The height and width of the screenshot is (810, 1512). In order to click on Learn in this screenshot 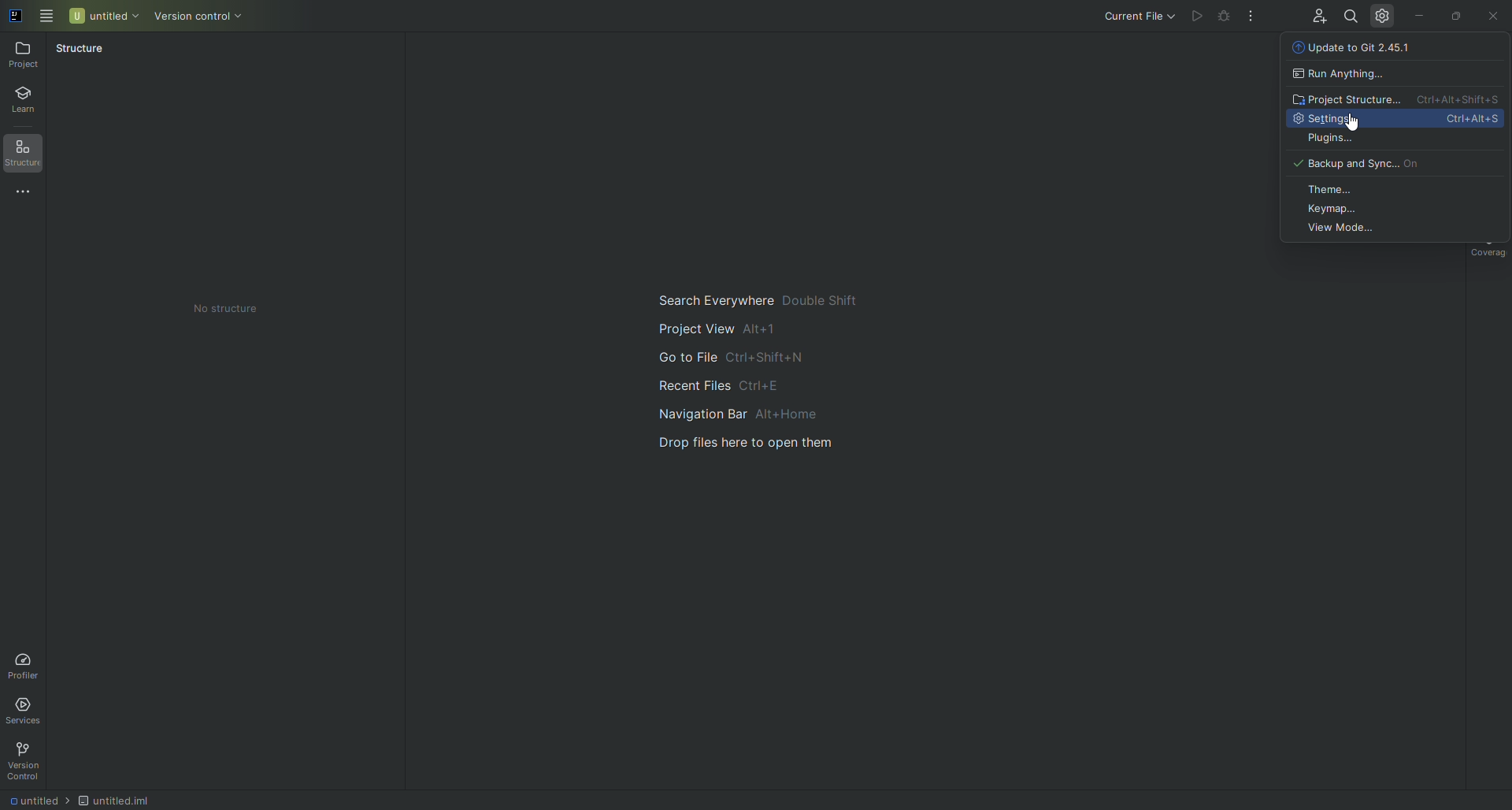, I will do `click(28, 96)`.